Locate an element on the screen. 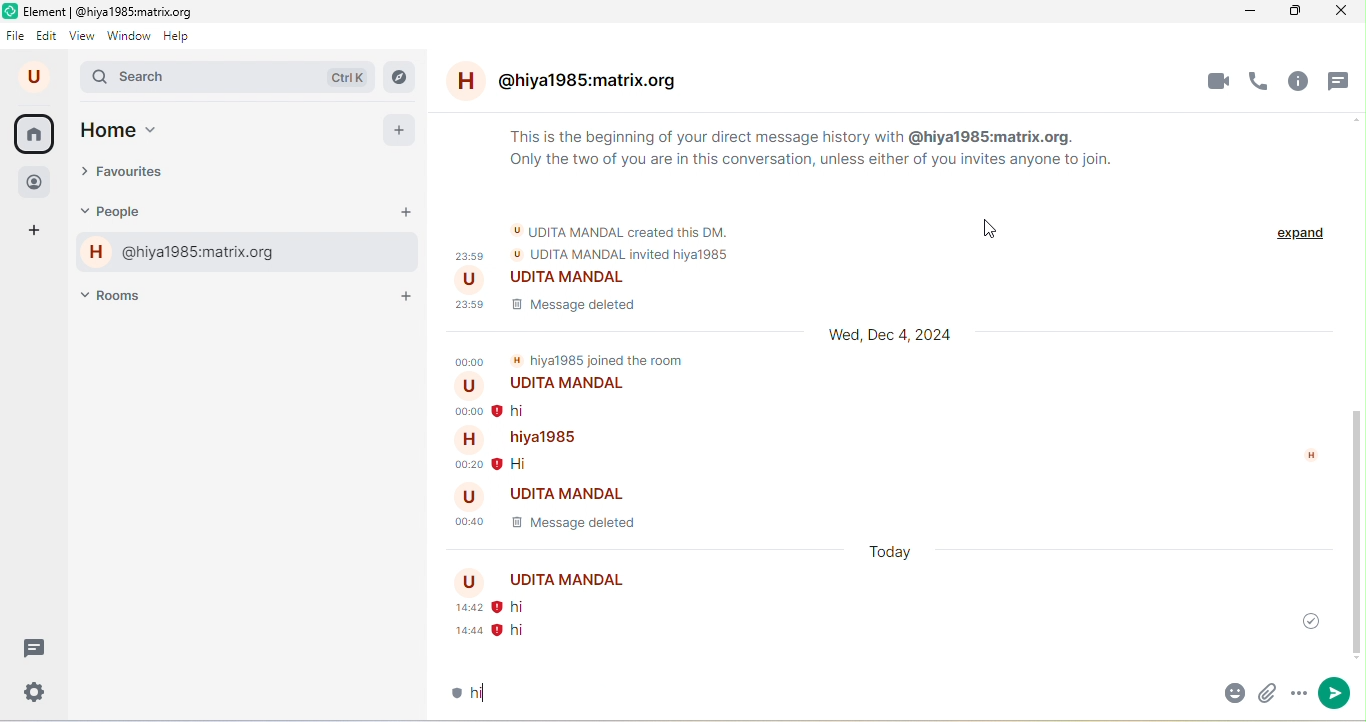  search is located at coordinates (229, 79).